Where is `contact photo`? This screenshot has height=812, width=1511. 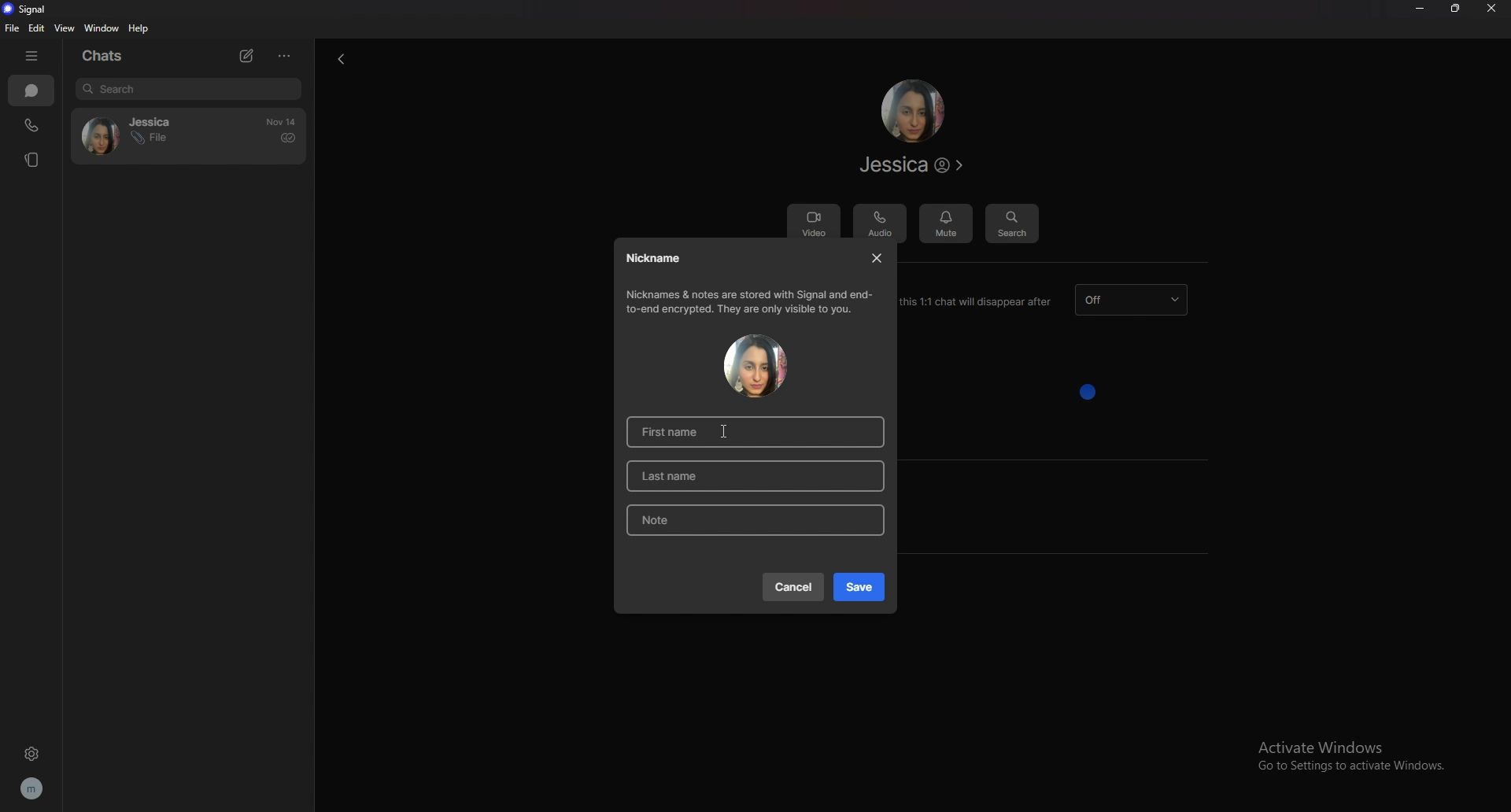
contact photo is located at coordinates (912, 110).